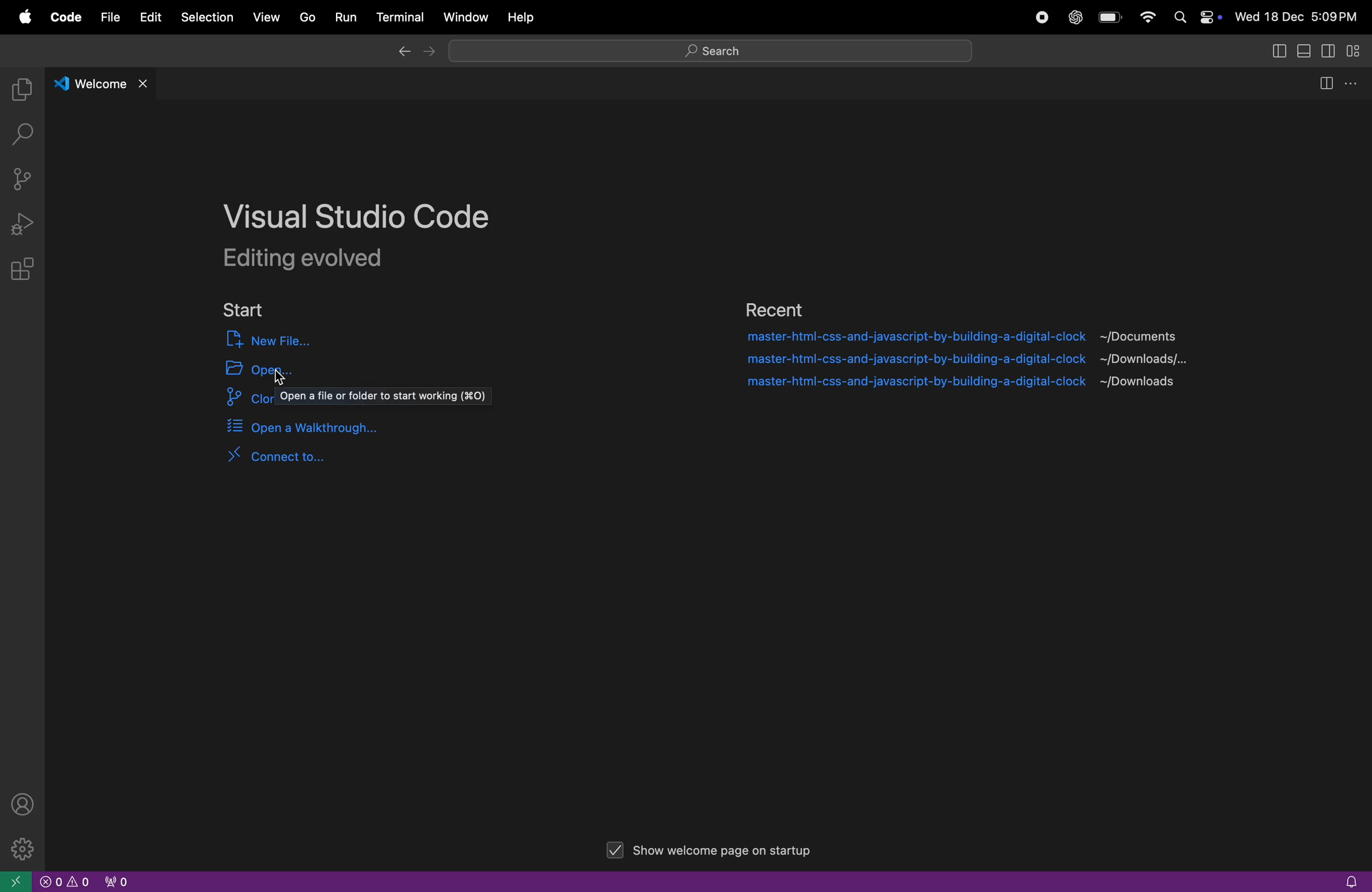 The width and height of the screenshot is (1372, 892). Describe the element at coordinates (244, 308) in the screenshot. I see `start` at that location.